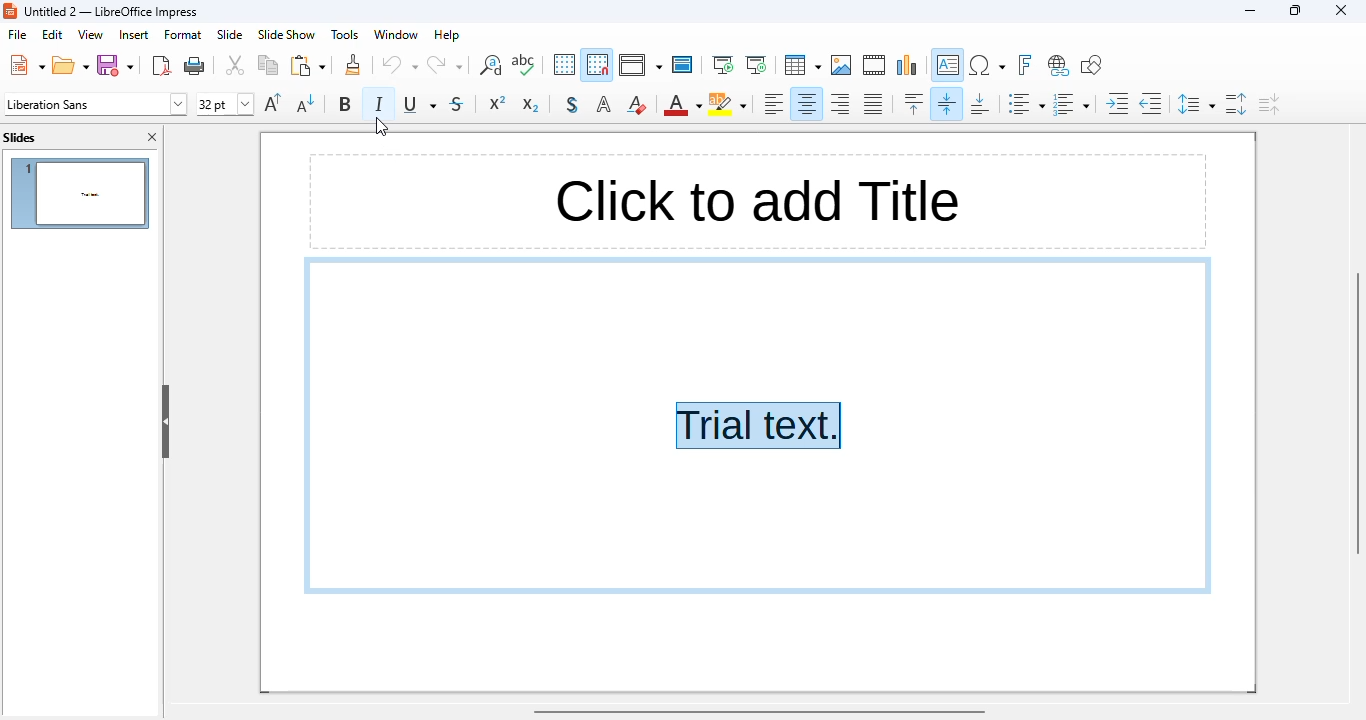  Describe the element at coordinates (1269, 105) in the screenshot. I see `decrease paragraph spacing` at that location.